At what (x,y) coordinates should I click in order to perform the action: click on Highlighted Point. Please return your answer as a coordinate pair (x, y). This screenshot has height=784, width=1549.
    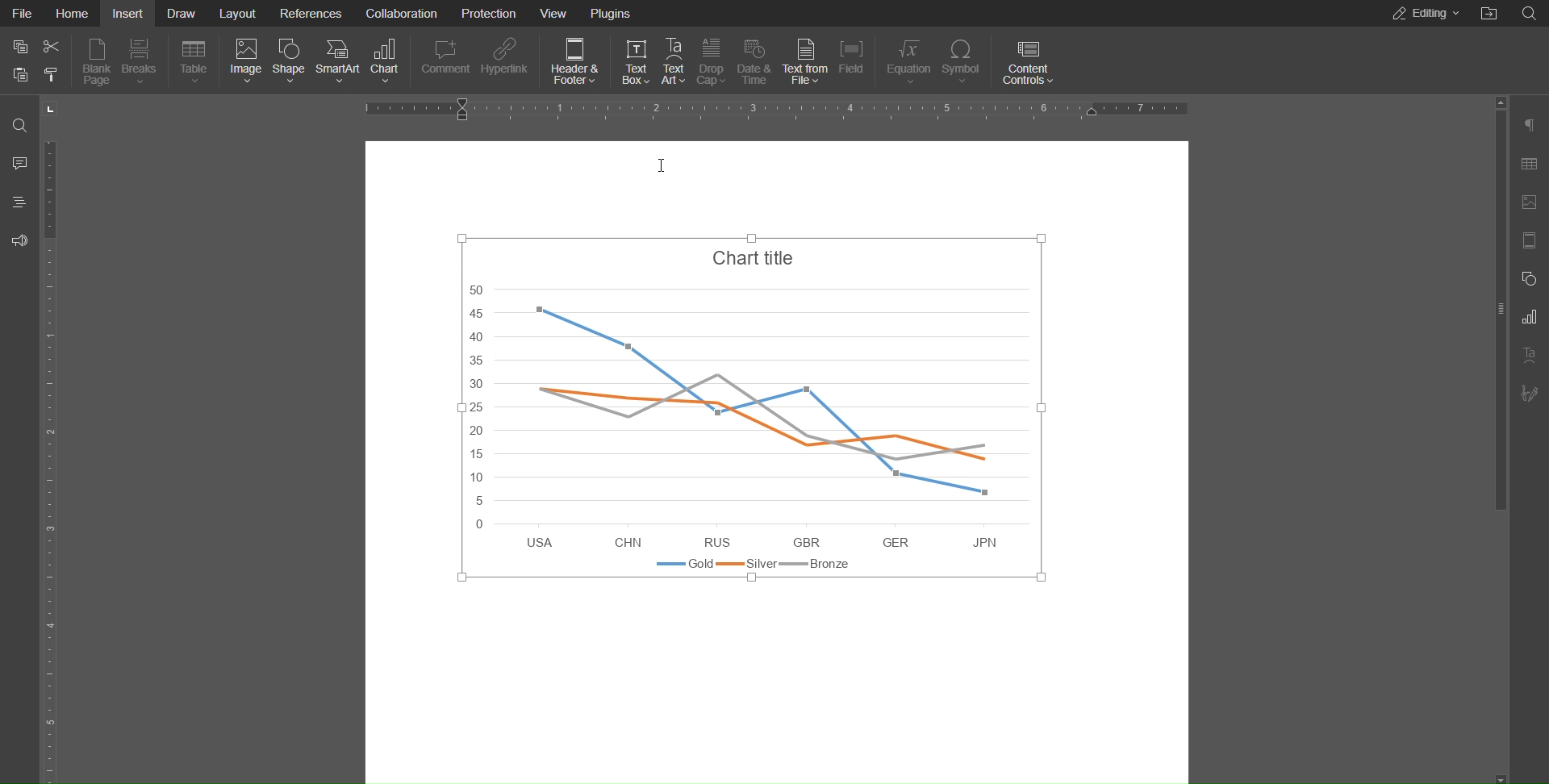
    Looking at the image, I should click on (538, 311).